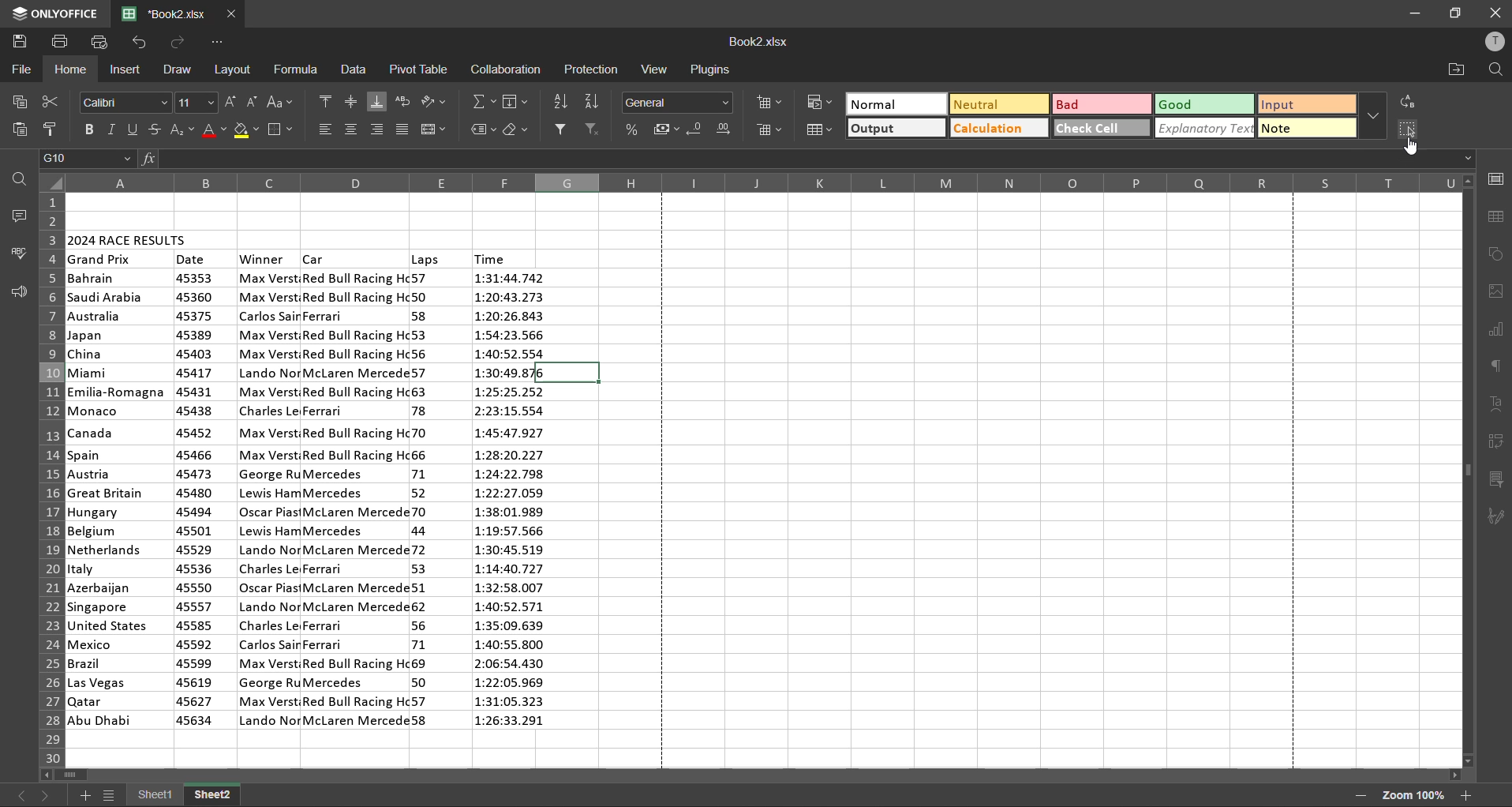 The height and width of the screenshot is (807, 1512). What do you see at coordinates (1495, 258) in the screenshot?
I see `shapes` at bounding box center [1495, 258].